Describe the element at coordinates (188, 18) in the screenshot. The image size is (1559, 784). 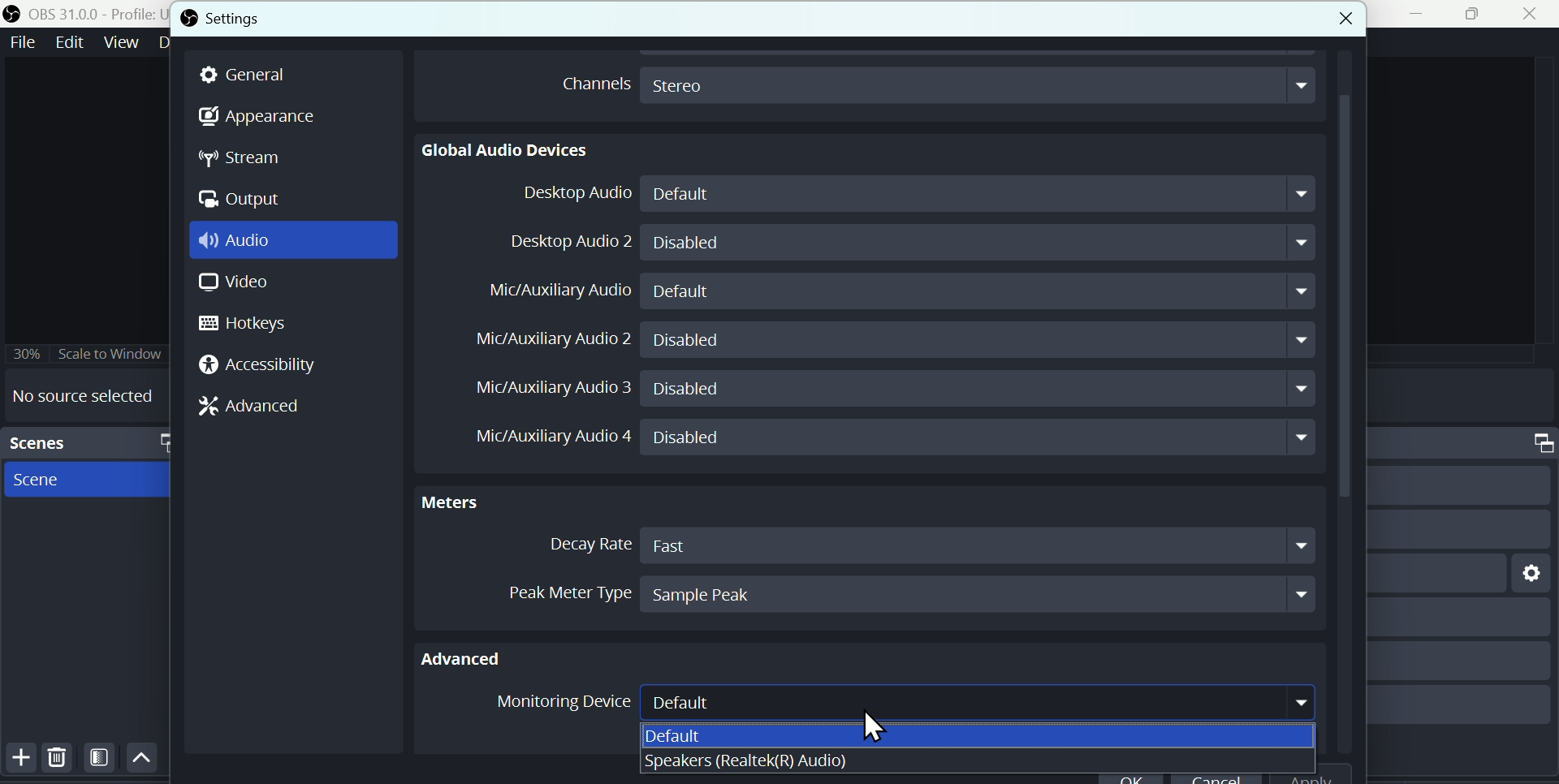
I see `OBS logo` at that location.